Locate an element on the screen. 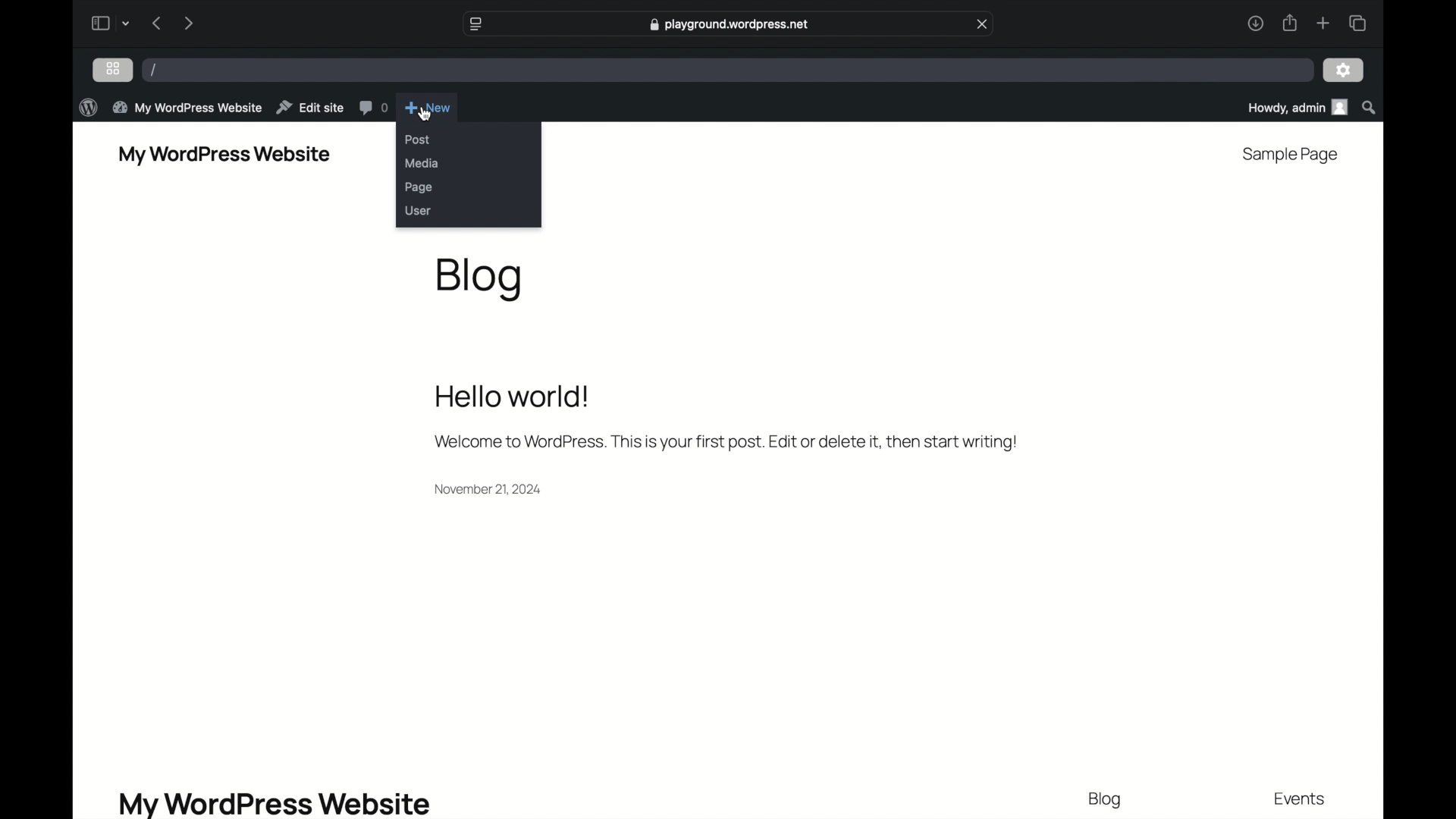  search is located at coordinates (1369, 107).